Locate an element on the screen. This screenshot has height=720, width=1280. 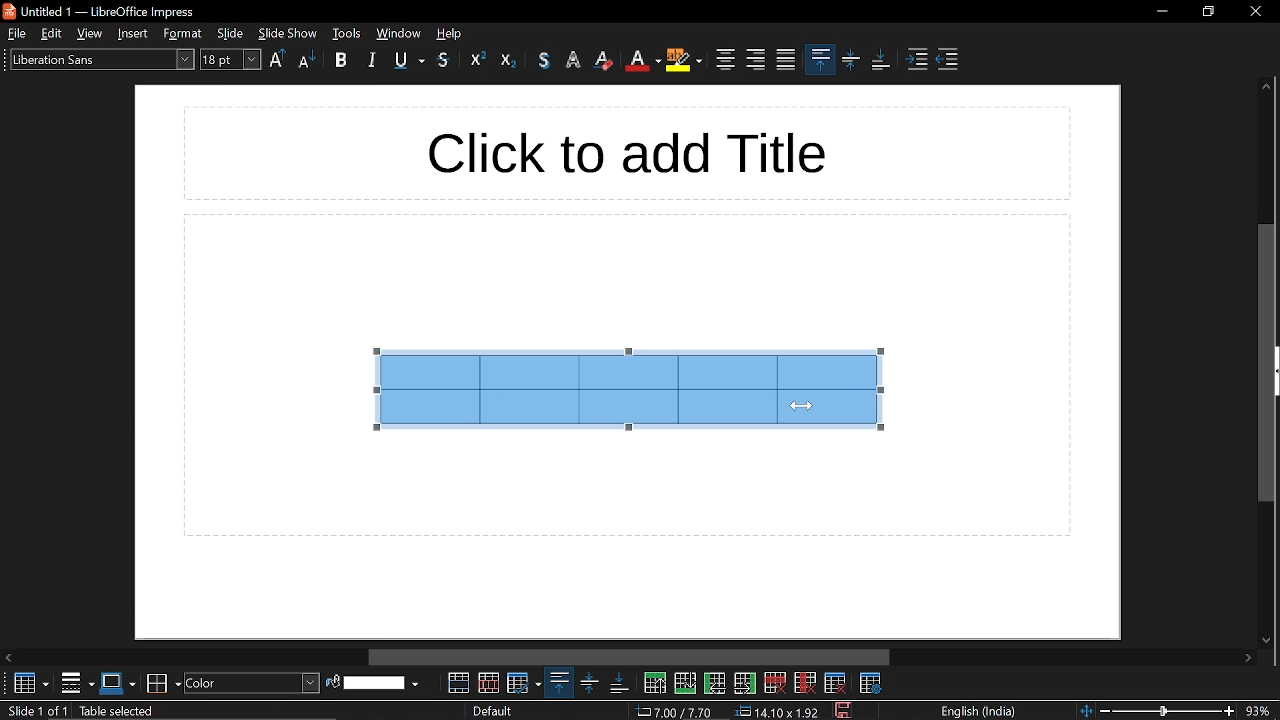
language is located at coordinates (974, 710).